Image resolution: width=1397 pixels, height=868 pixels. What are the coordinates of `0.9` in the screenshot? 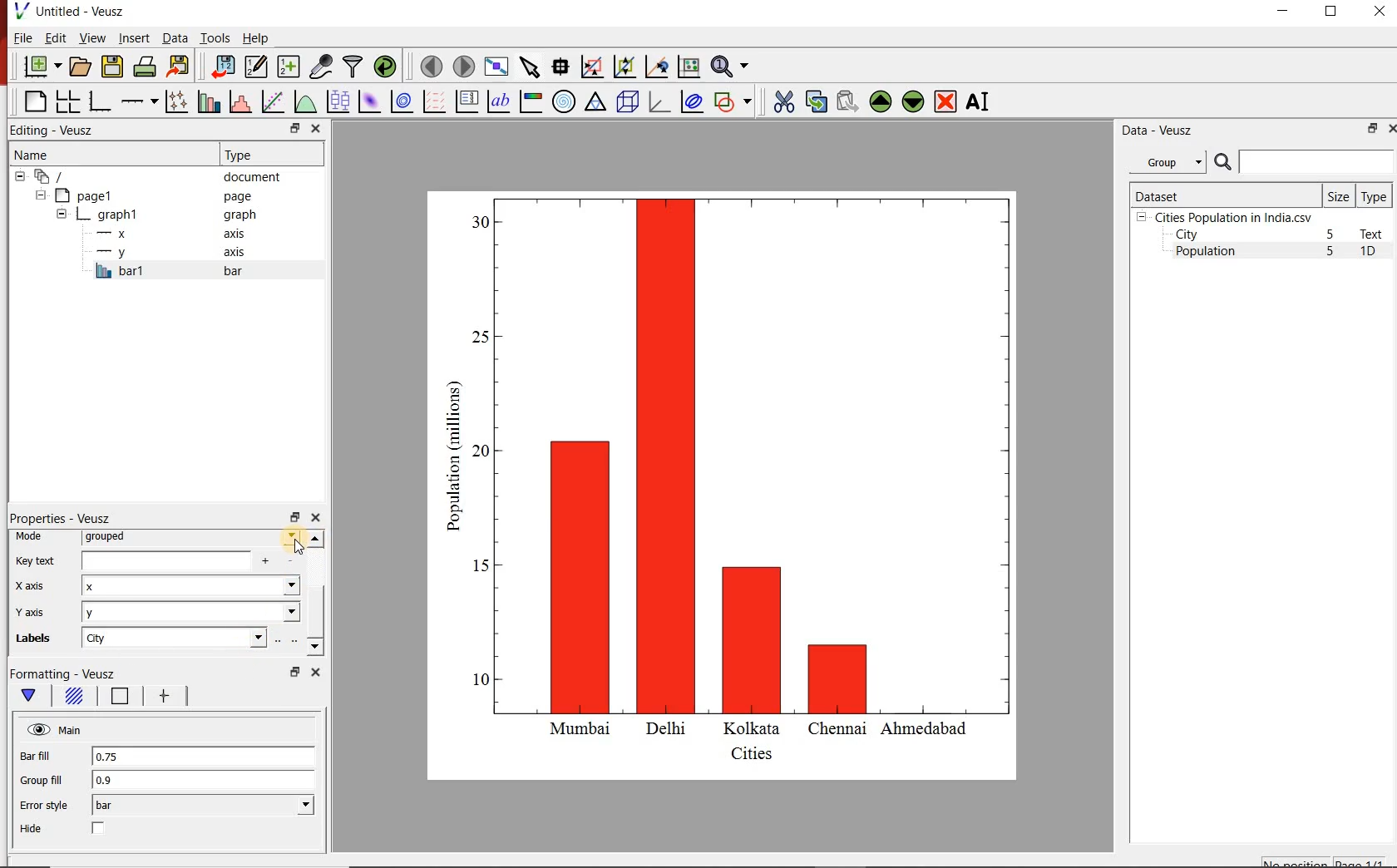 It's located at (204, 781).